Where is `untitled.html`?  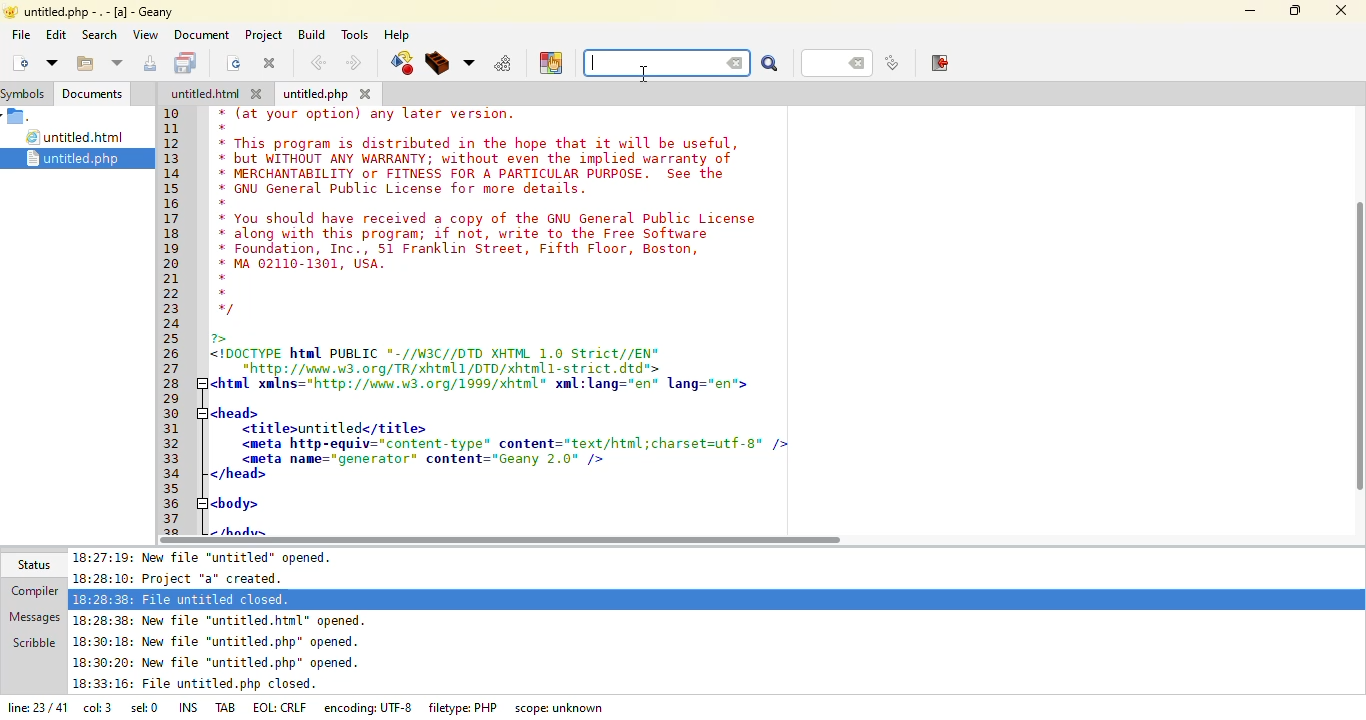
untitled.html is located at coordinates (78, 138).